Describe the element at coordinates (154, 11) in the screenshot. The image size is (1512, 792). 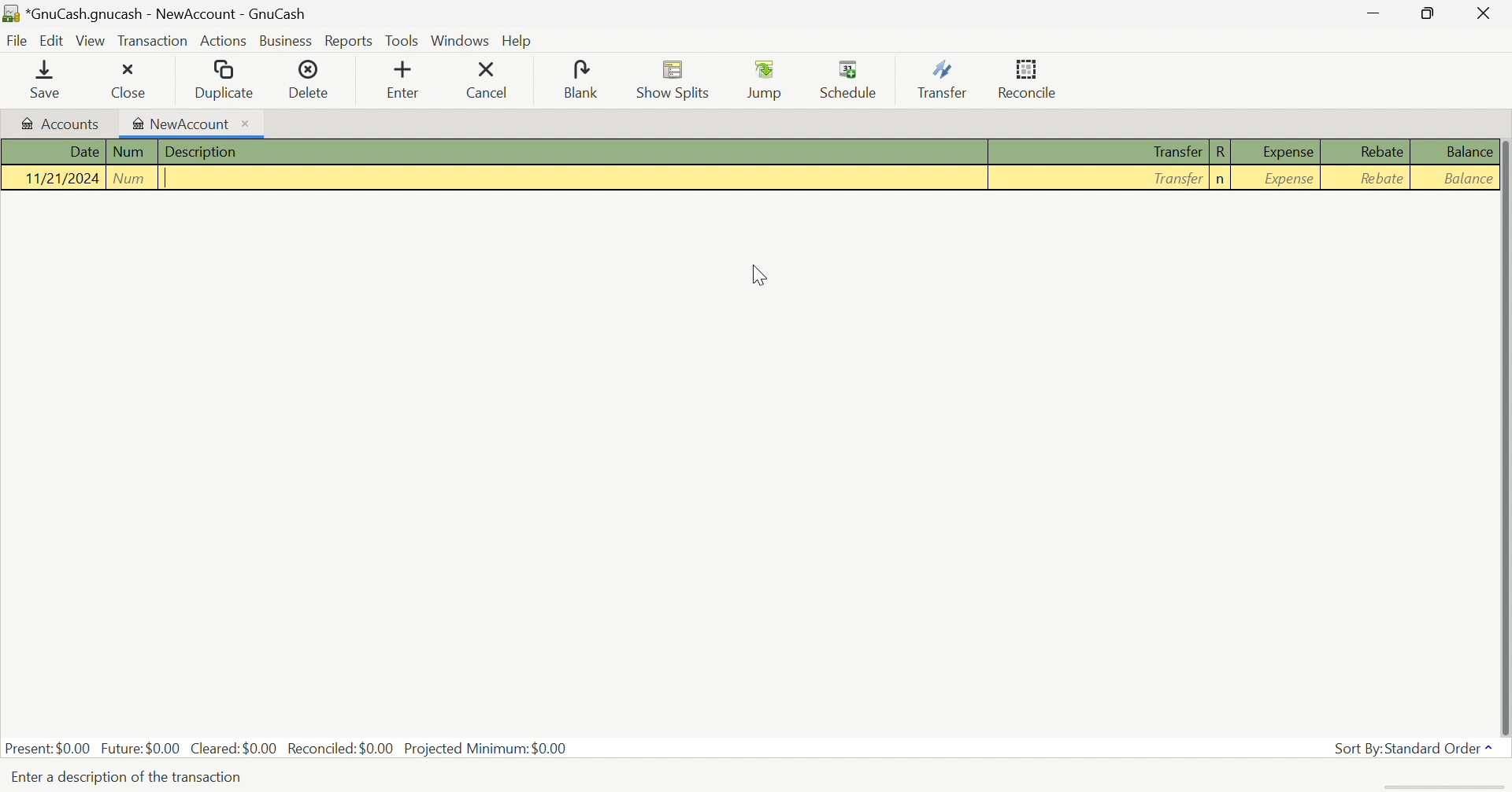
I see `*GnuCash.gnucash - NewAccount - GnuCash` at that location.